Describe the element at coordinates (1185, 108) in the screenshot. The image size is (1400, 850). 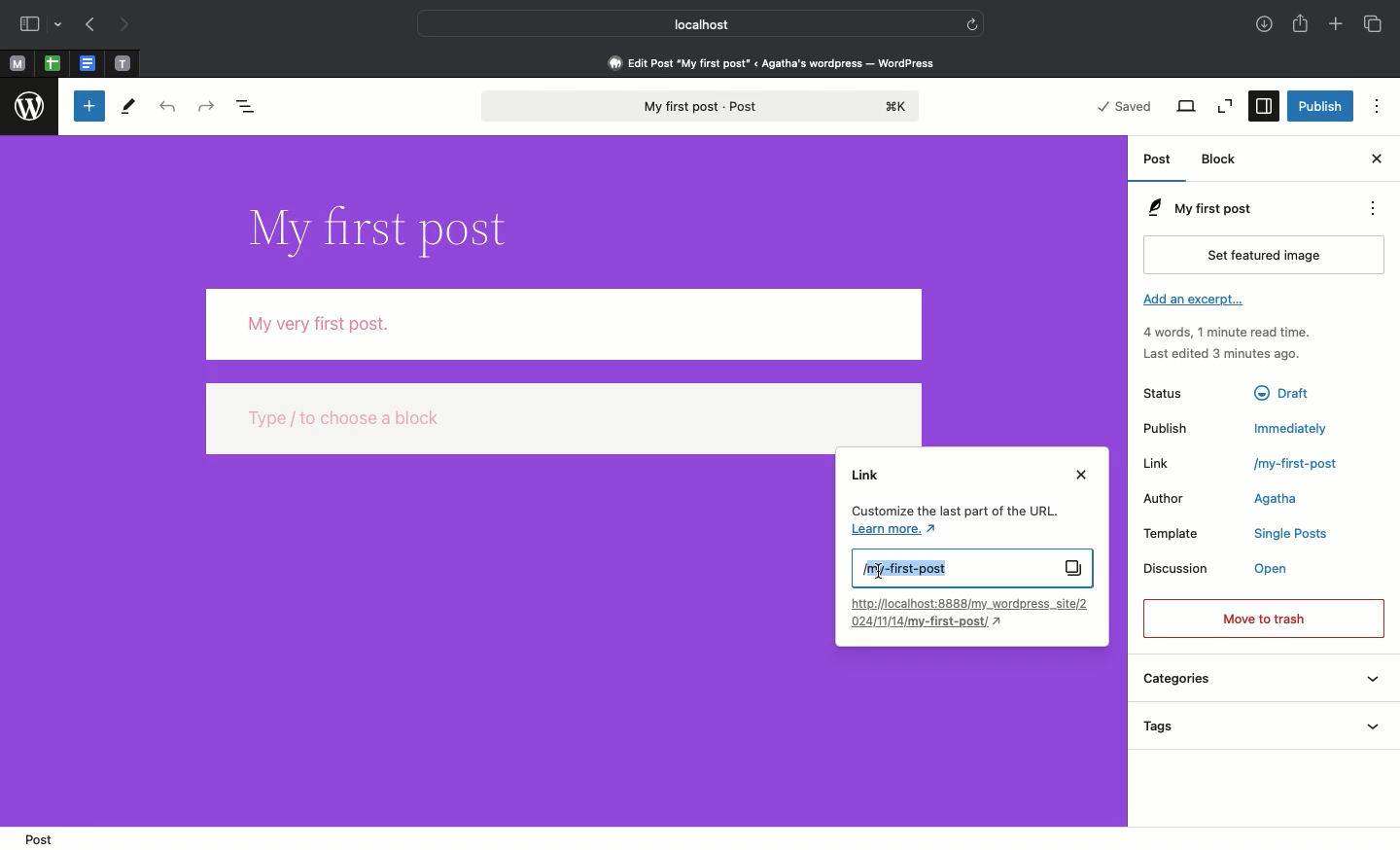
I see `View` at that location.